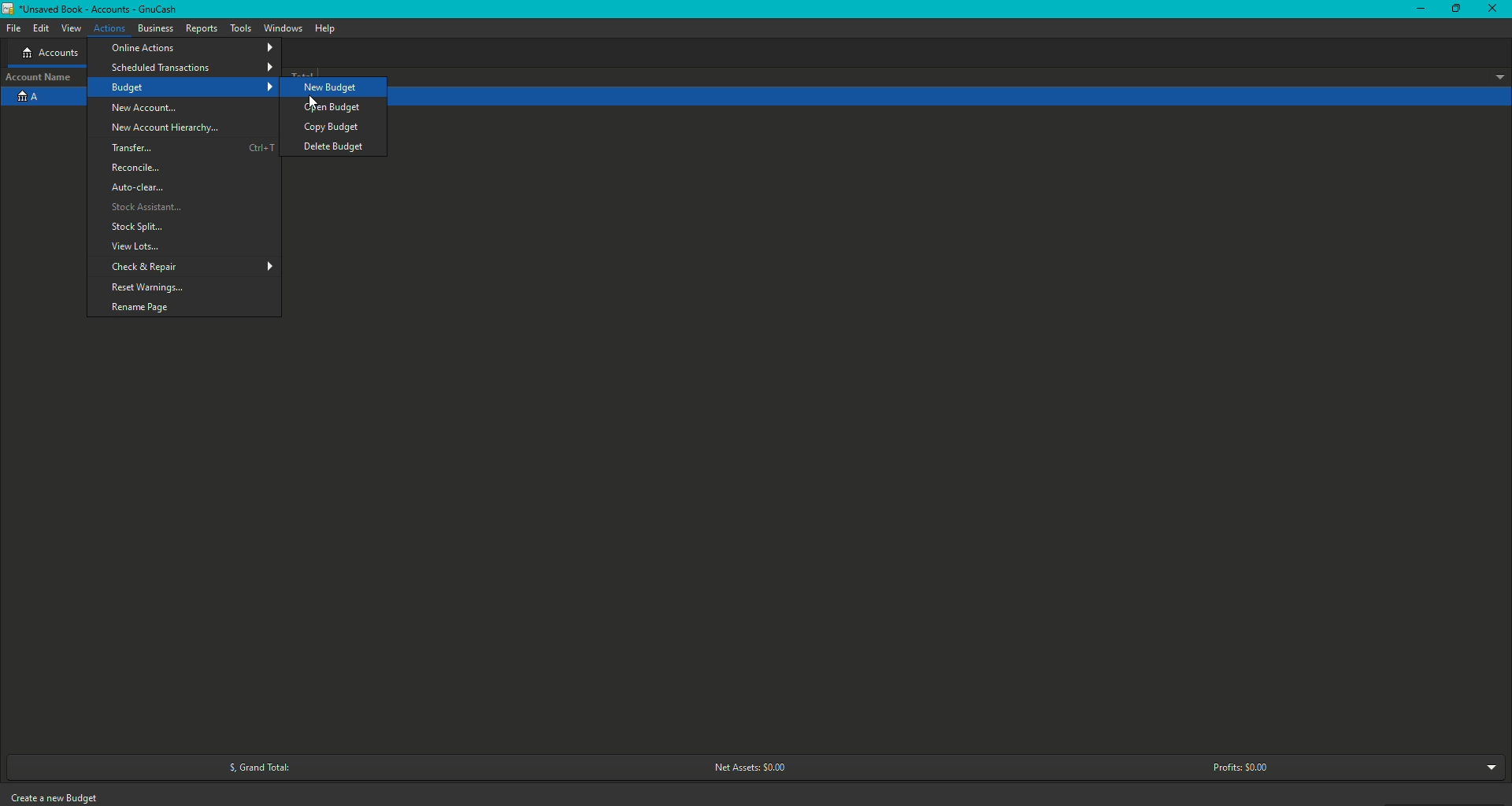  I want to click on Transfer, so click(192, 148).